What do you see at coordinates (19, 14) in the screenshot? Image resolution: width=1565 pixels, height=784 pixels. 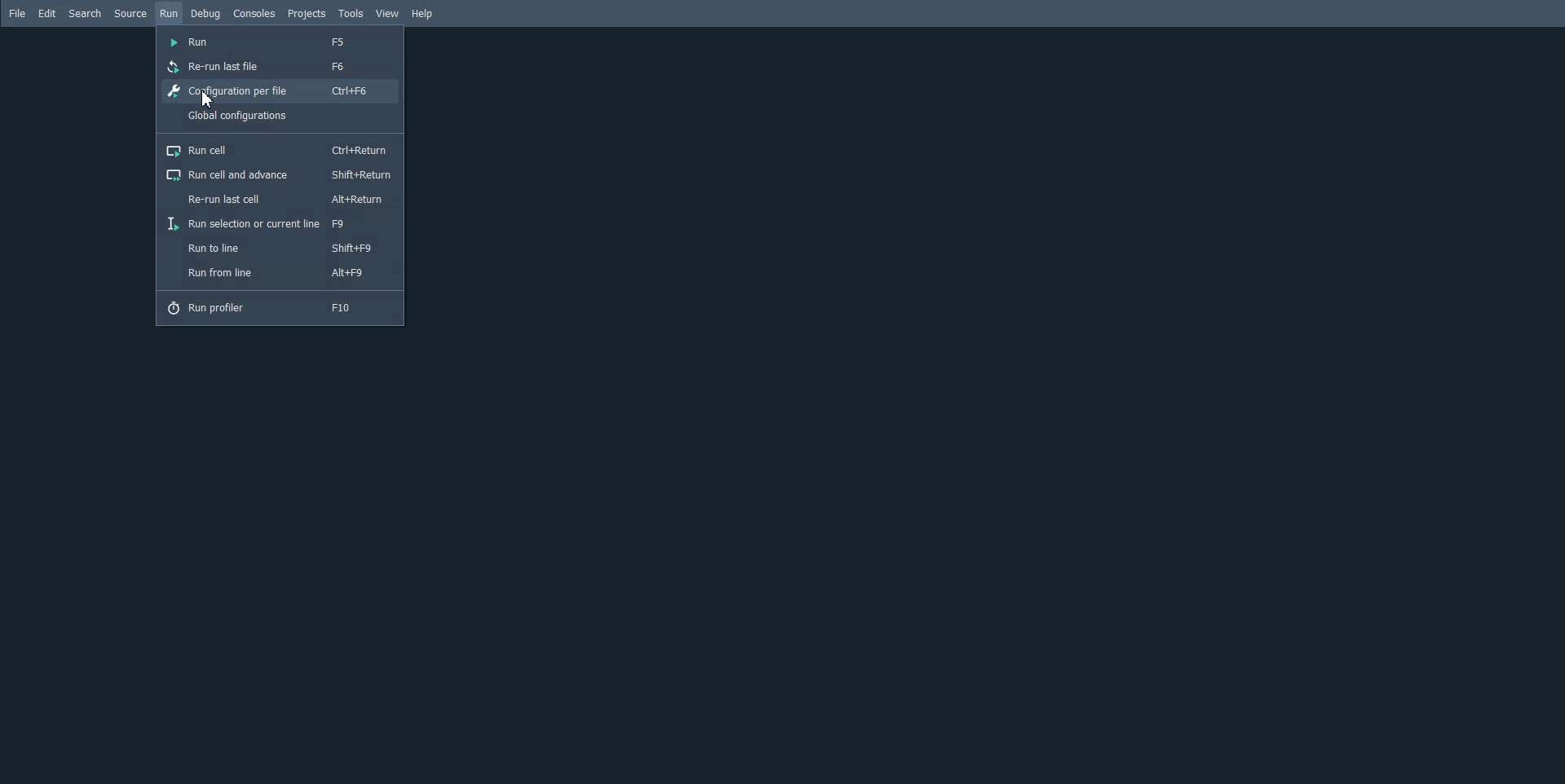 I see `File` at bounding box center [19, 14].